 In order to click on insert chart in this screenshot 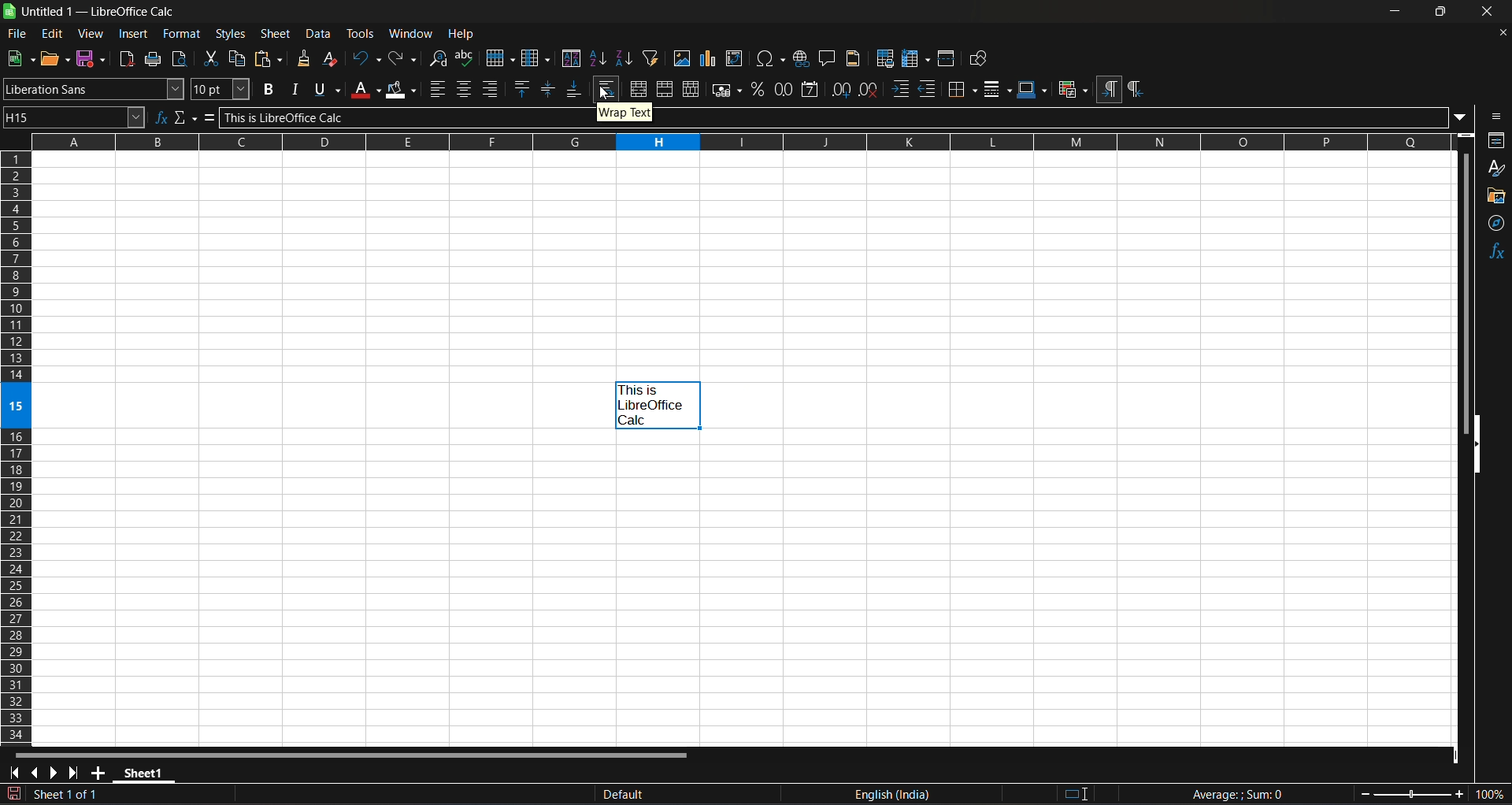, I will do `click(709, 57)`.